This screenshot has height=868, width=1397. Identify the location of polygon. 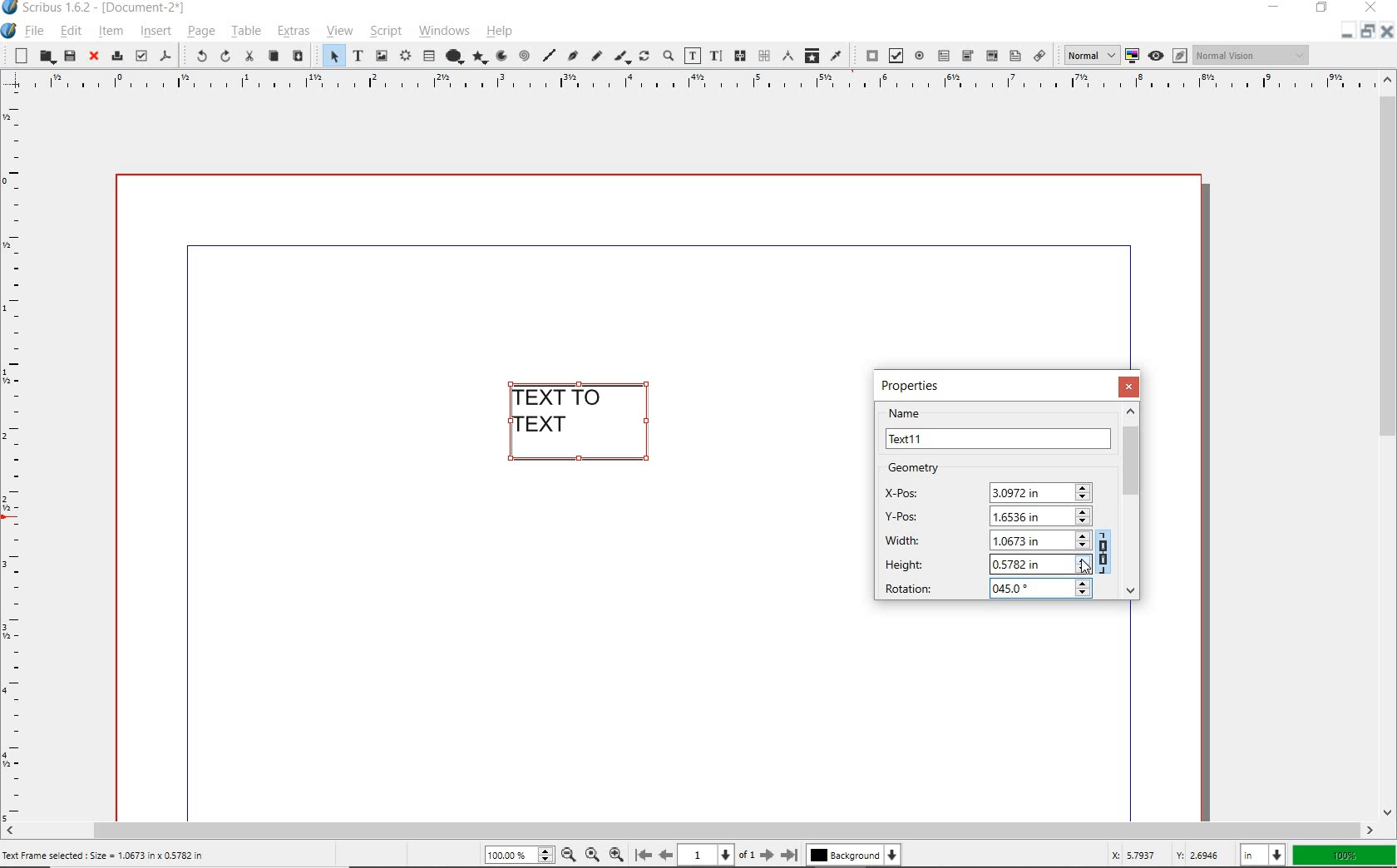
(480, 58).